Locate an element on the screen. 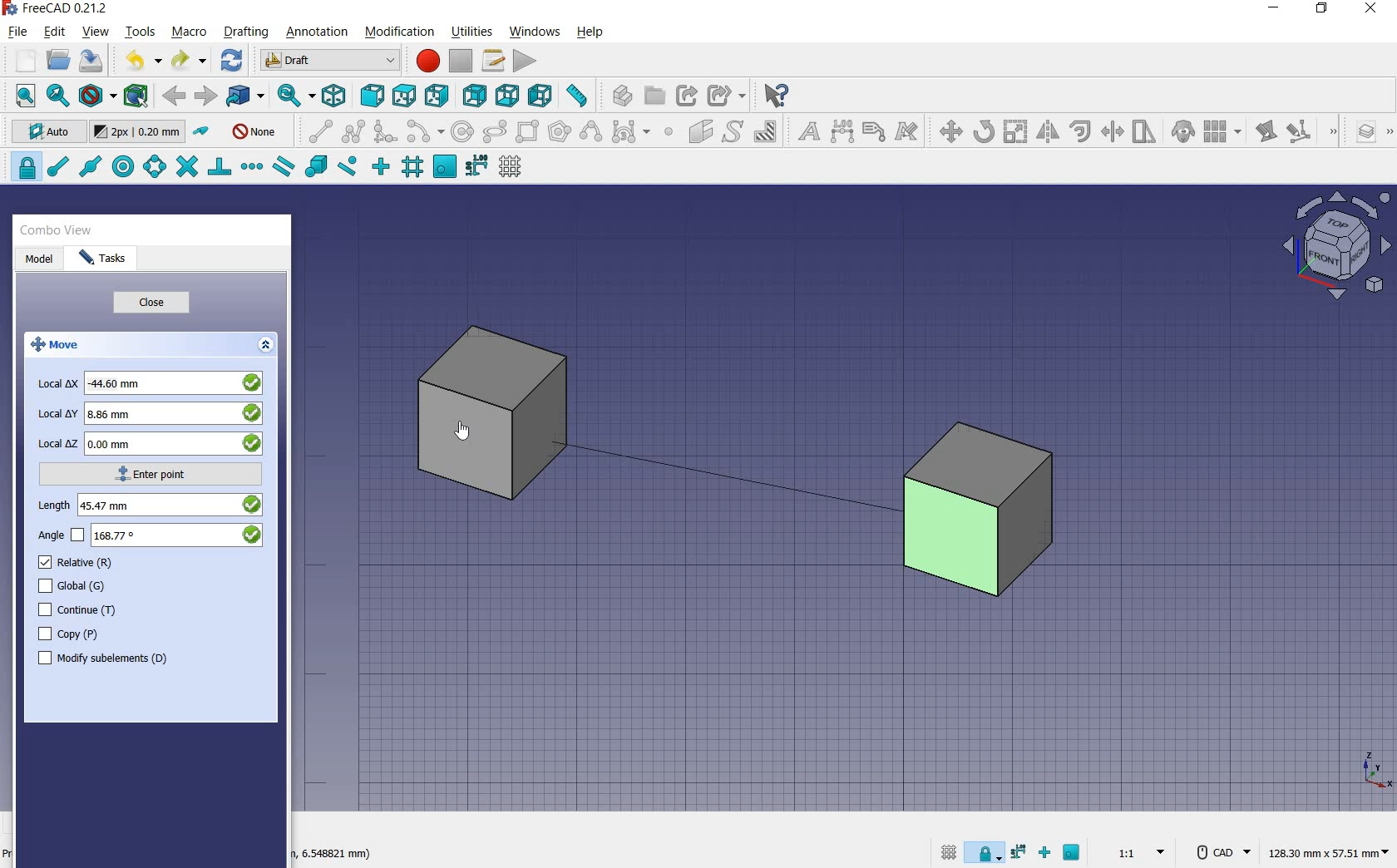 This screenshot has height=868, width=1397. snap angle is located at coordinates (154, 167).